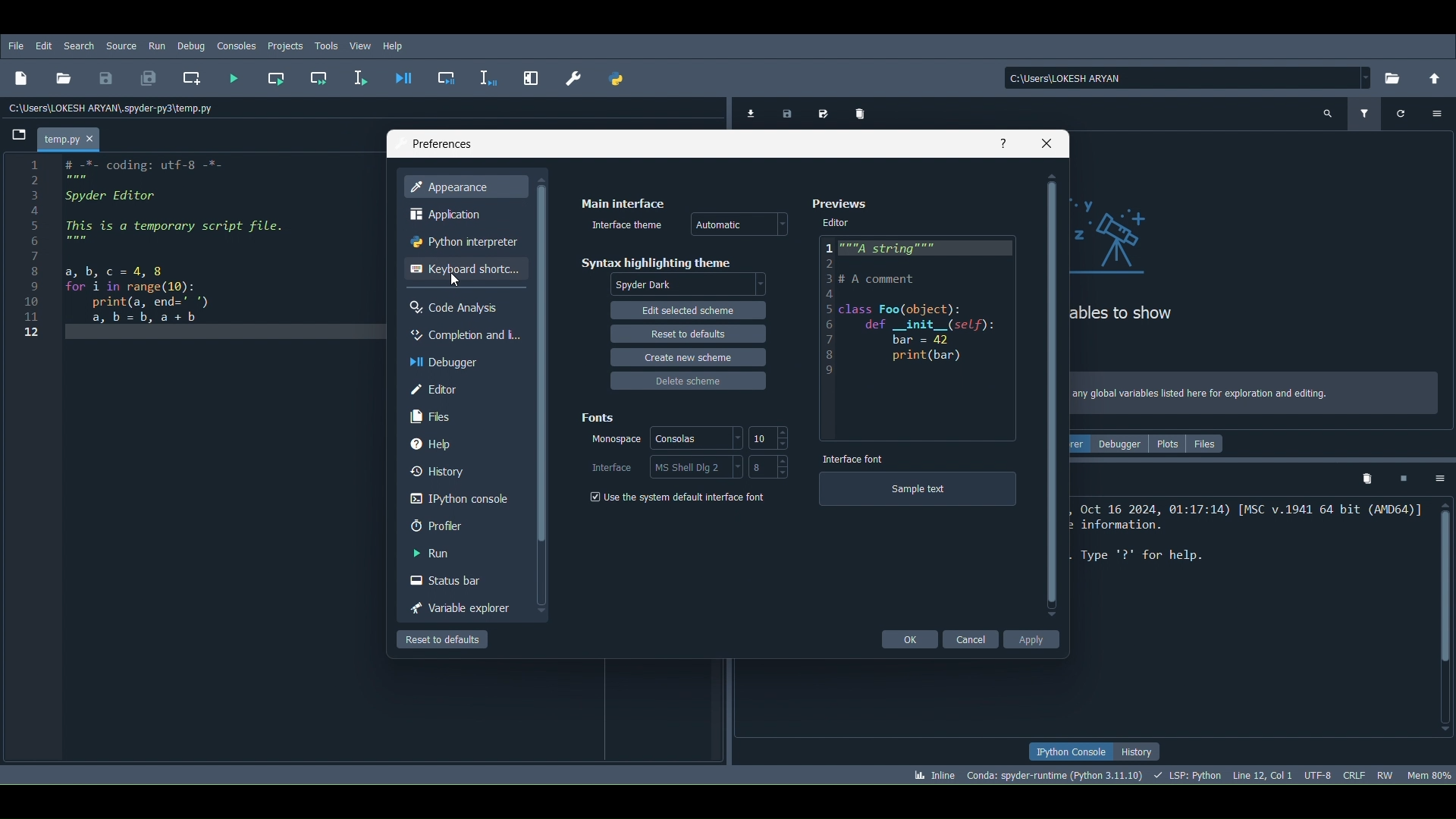  Describe the element at coordinates (458, 577) in the screenshot. I see `Status bar` at that location.